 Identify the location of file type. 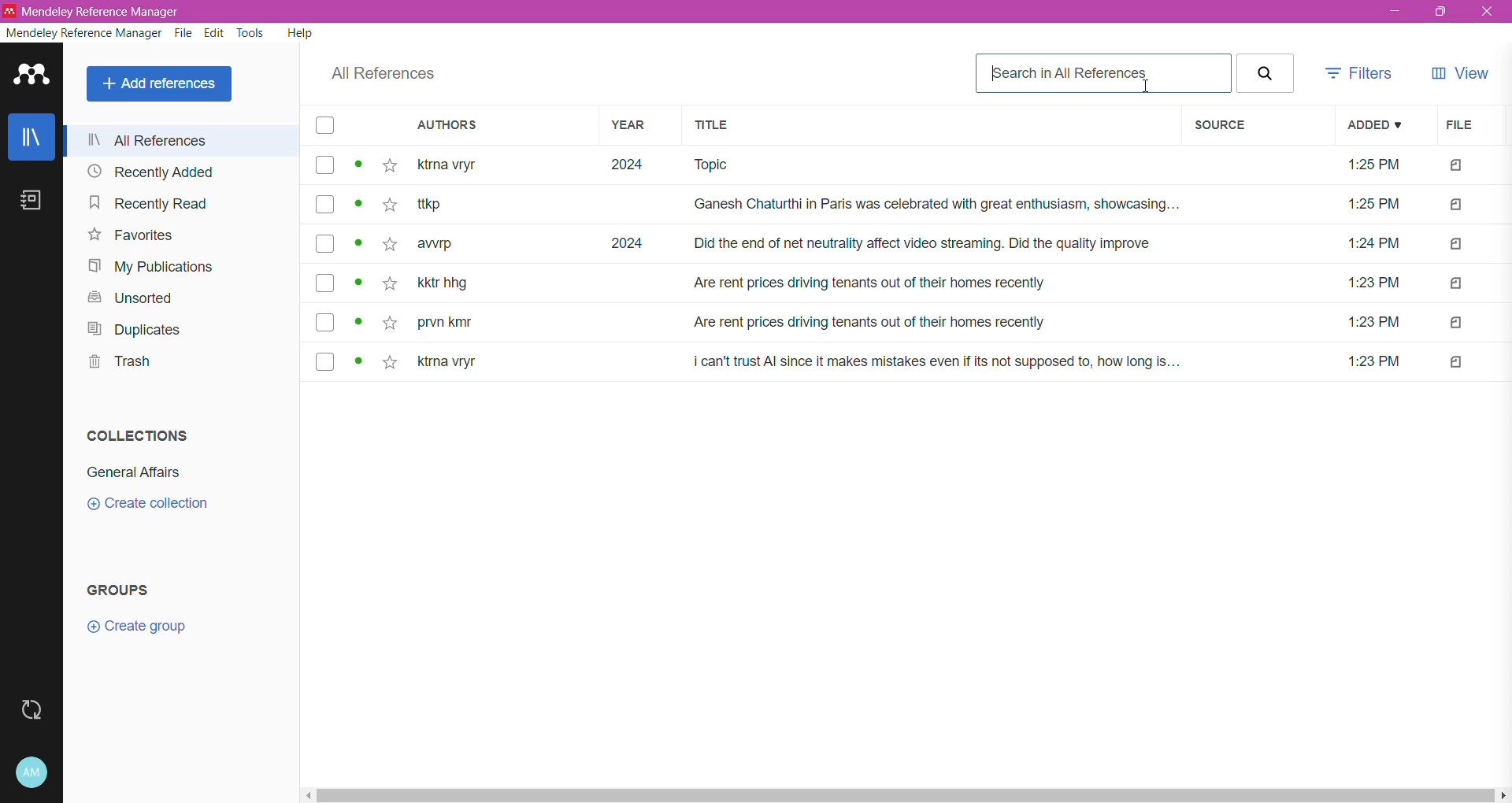
(1456, 284).